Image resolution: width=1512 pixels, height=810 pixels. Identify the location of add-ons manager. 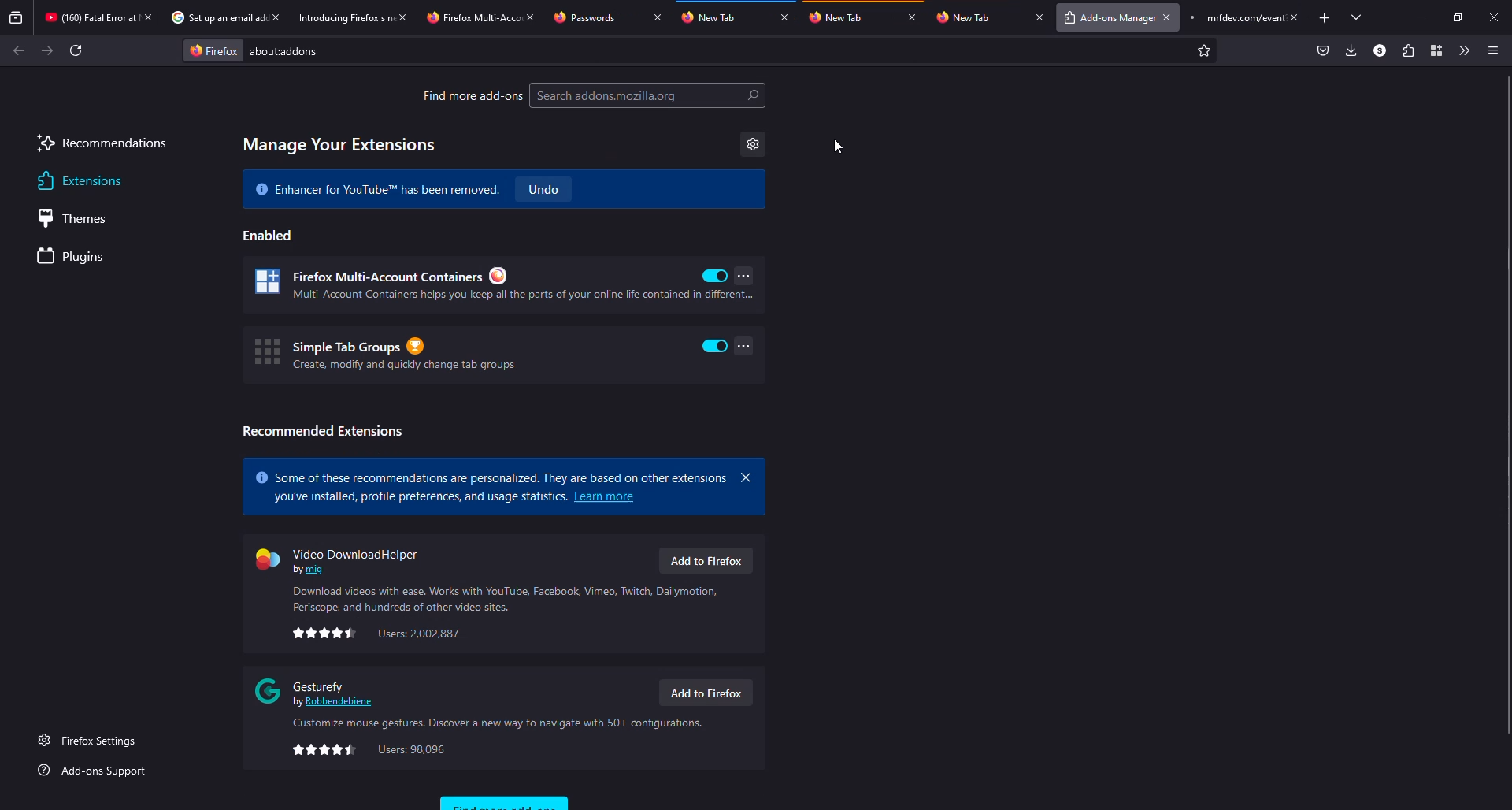
(1109, 17).